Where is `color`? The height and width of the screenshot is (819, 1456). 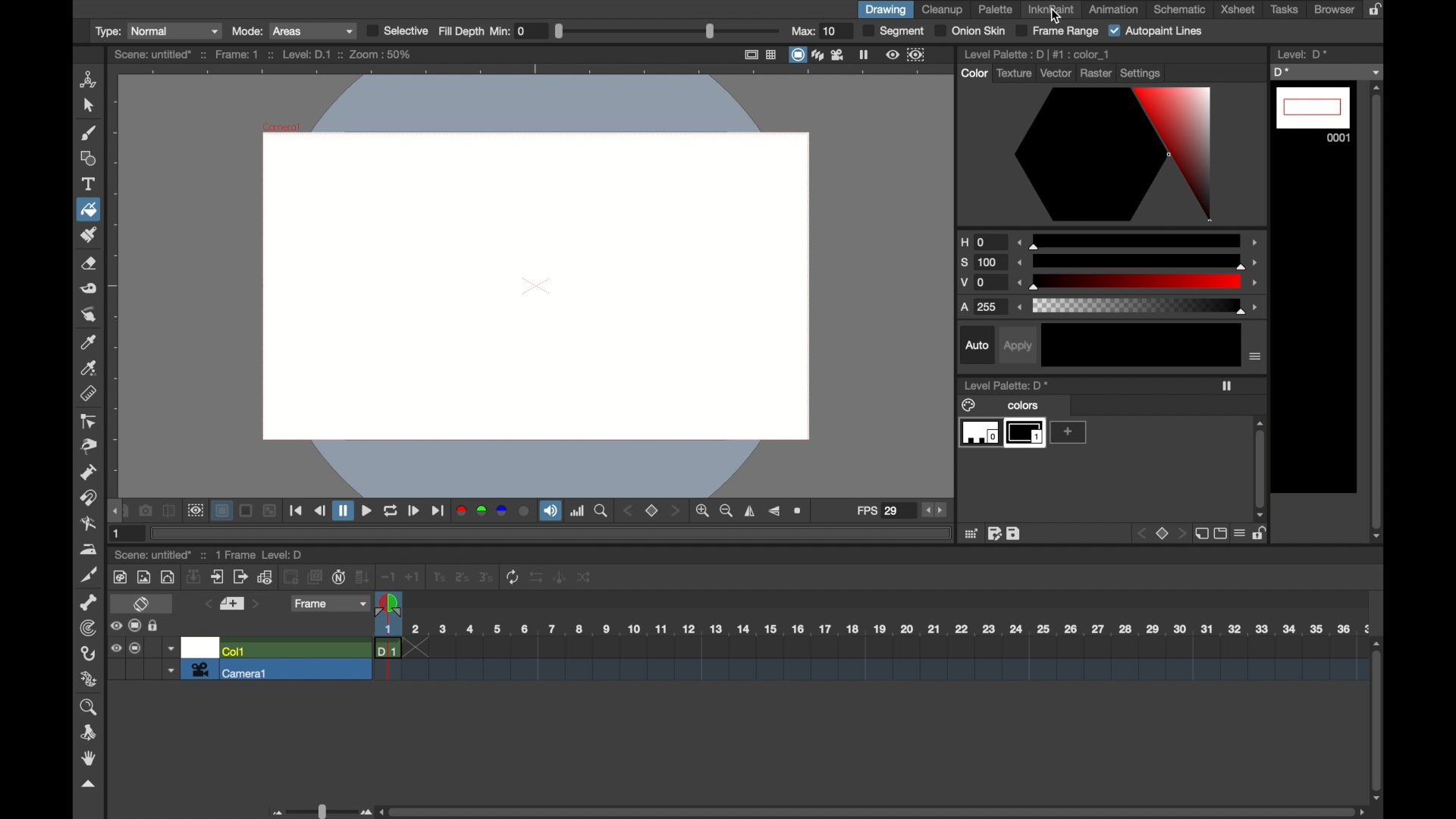 color is located at coordinates (974, 73).